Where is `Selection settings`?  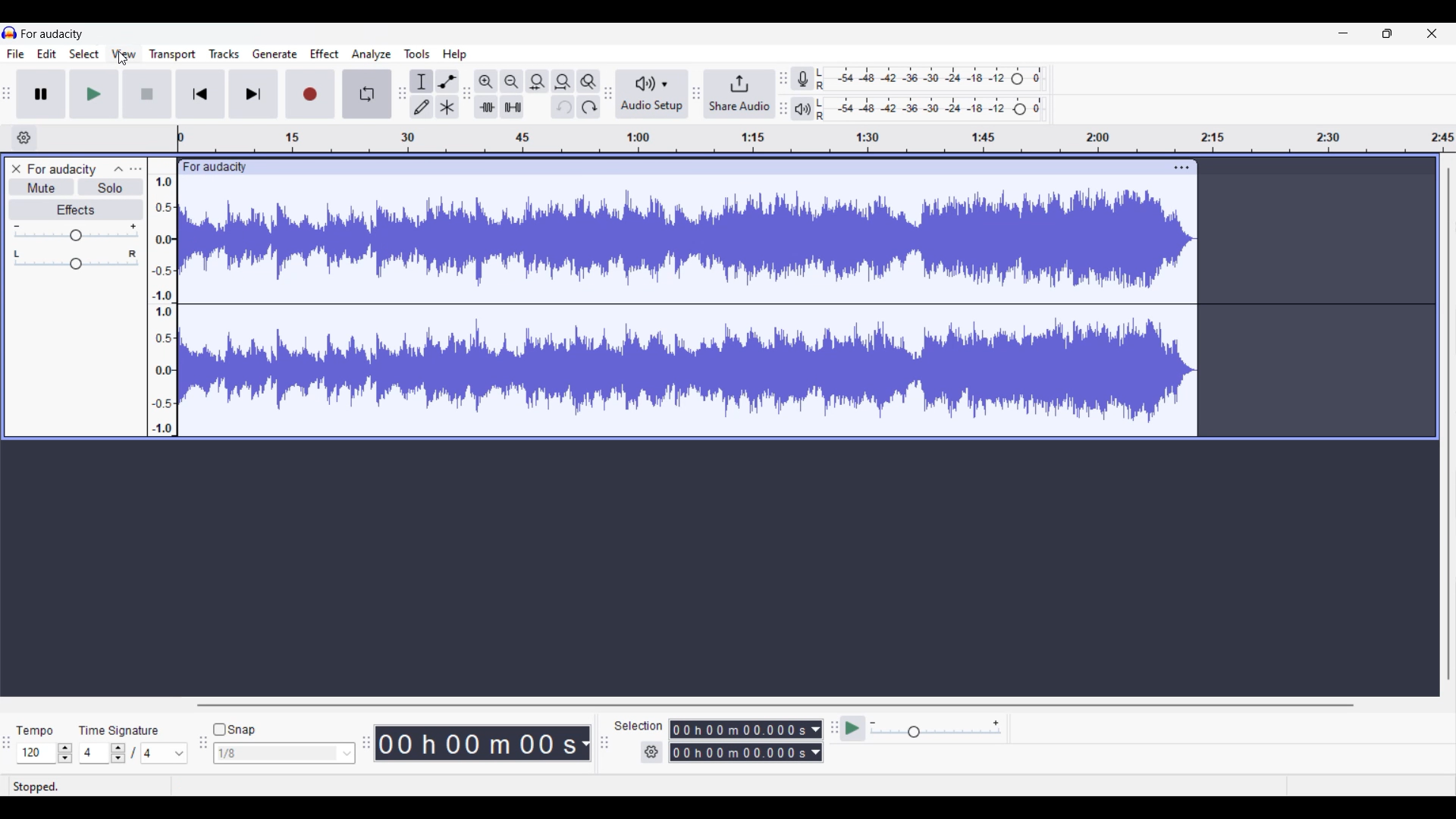
Selection settings is located at coordinates (651, 752).